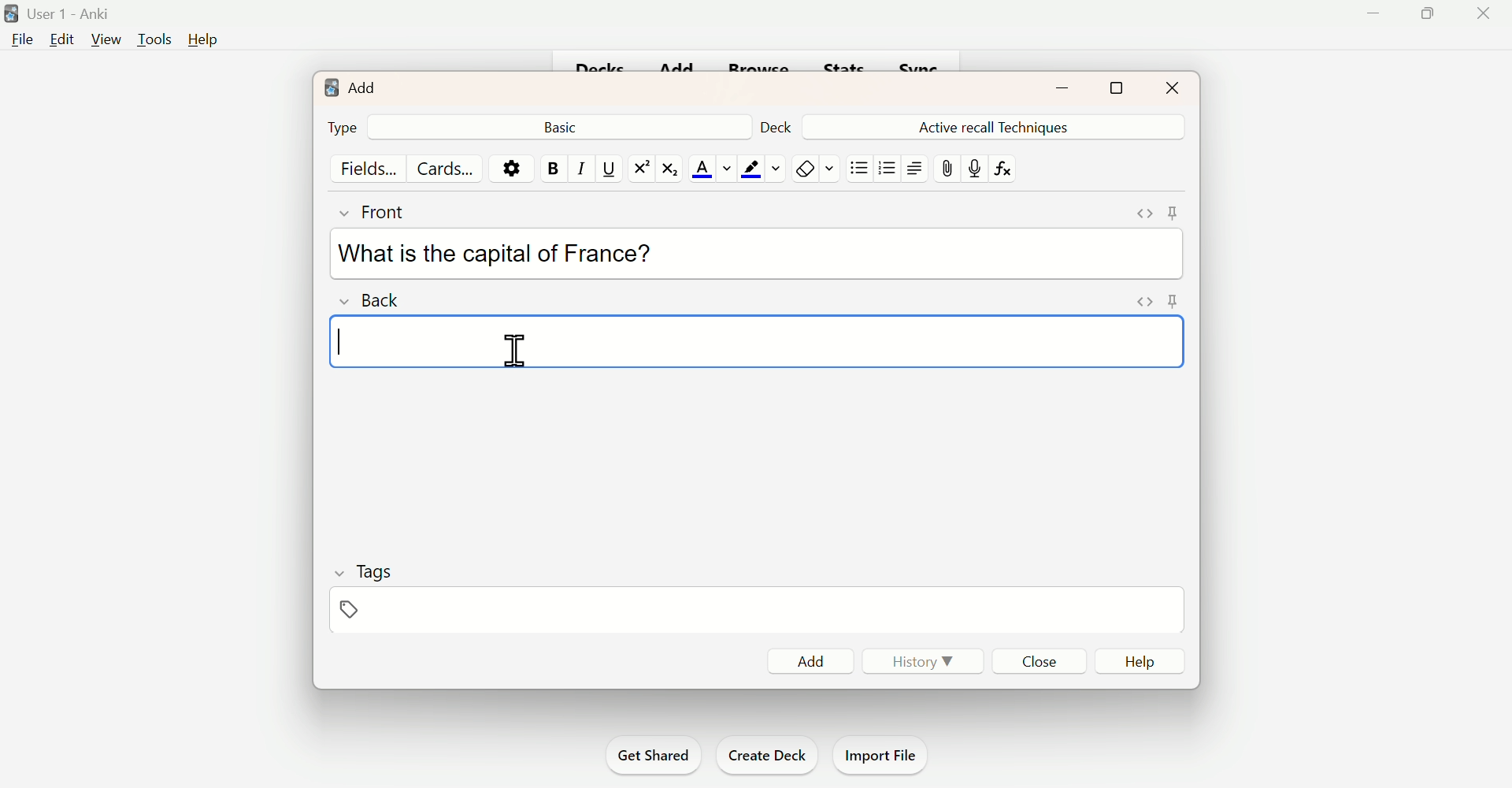 The width and height of the screenshot is (1512, 788). What do you see at coordinates (362, 87) in the screenshot?
I see `Add` at bounding box center [362, 87].